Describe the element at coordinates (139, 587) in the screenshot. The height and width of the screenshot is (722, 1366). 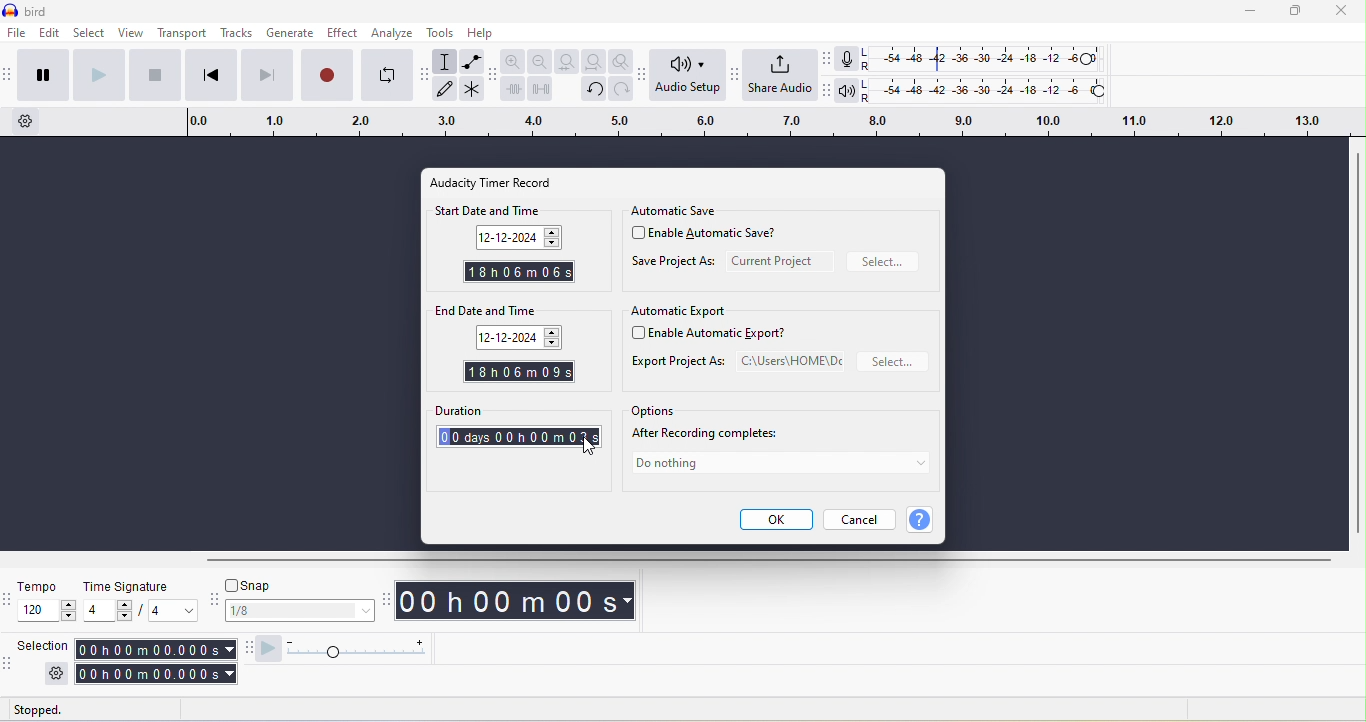
I see `time signature` at that location.